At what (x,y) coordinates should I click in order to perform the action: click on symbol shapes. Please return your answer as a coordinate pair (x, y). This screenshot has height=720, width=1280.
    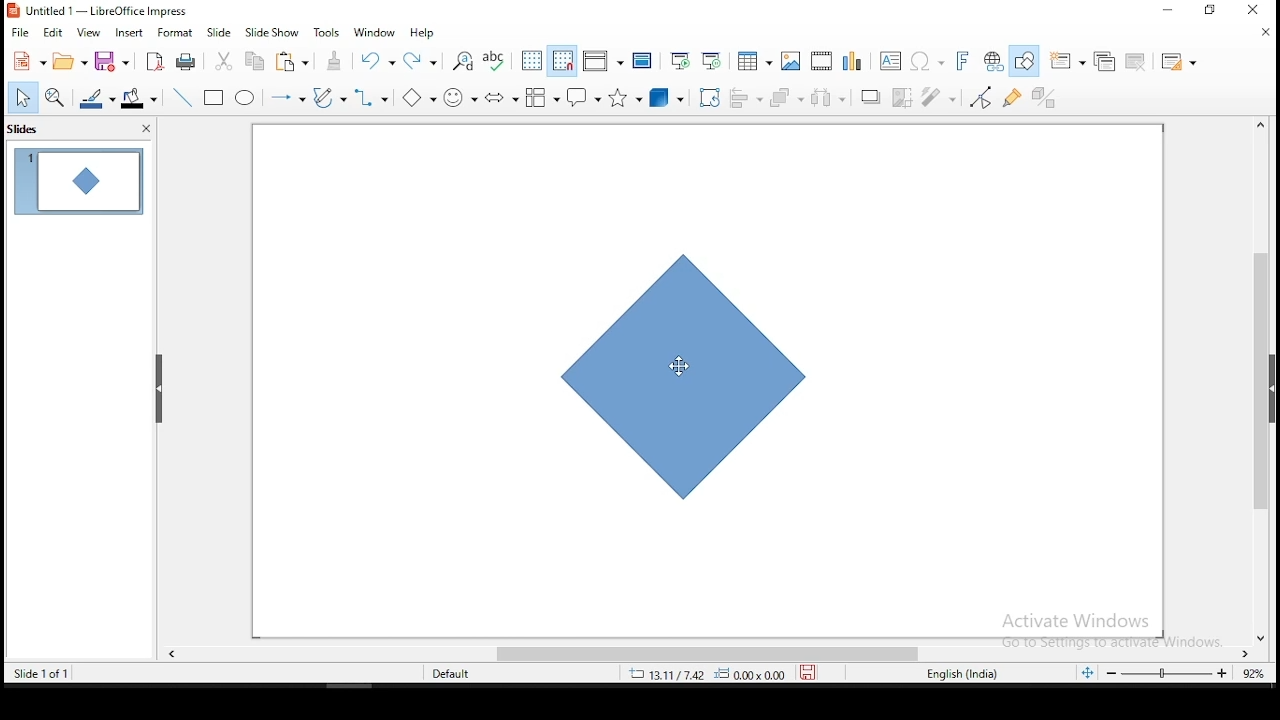
    Looking at the image, I should click on (464, 100).